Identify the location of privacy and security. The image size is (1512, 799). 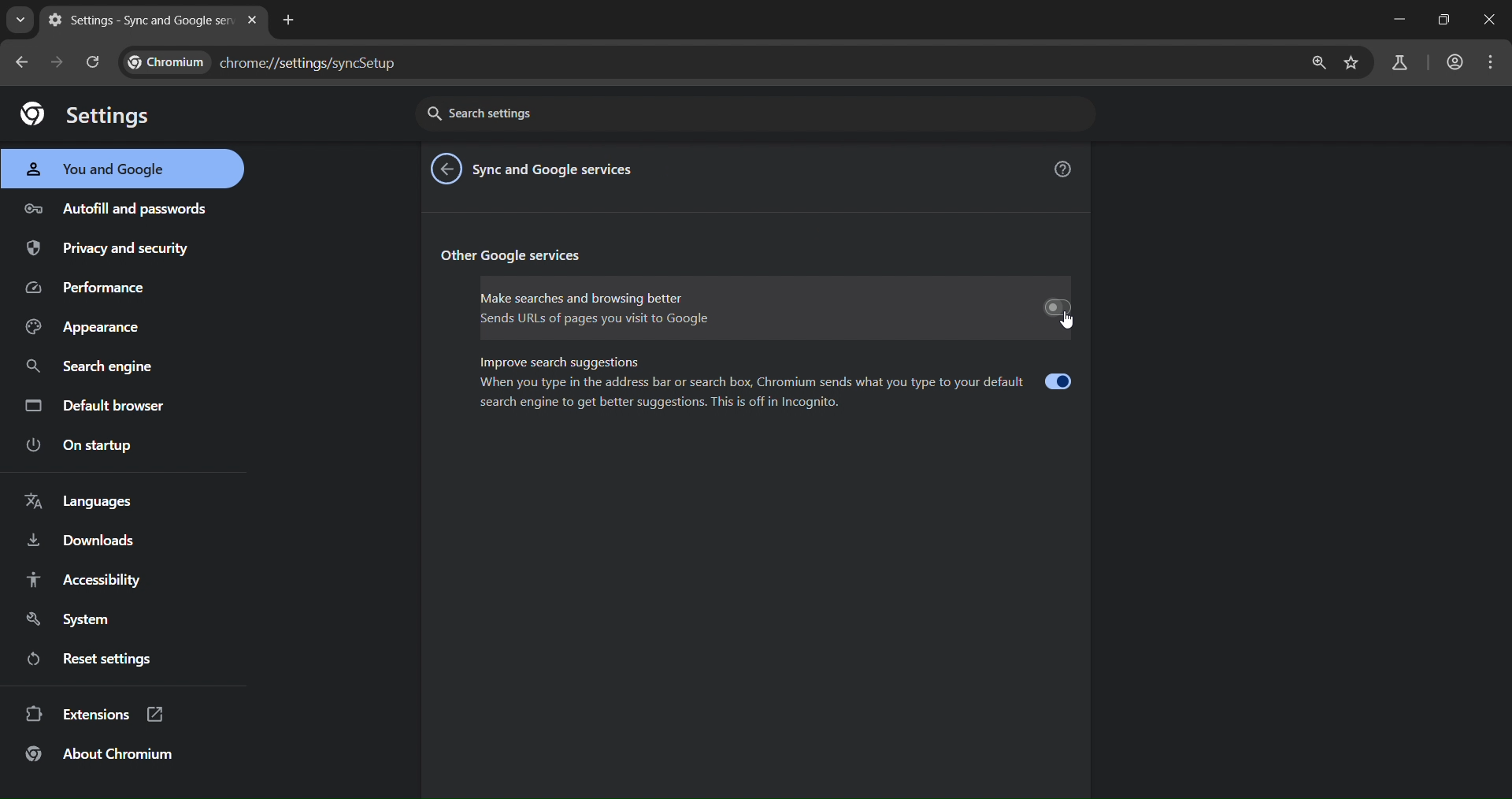
(124, 250).